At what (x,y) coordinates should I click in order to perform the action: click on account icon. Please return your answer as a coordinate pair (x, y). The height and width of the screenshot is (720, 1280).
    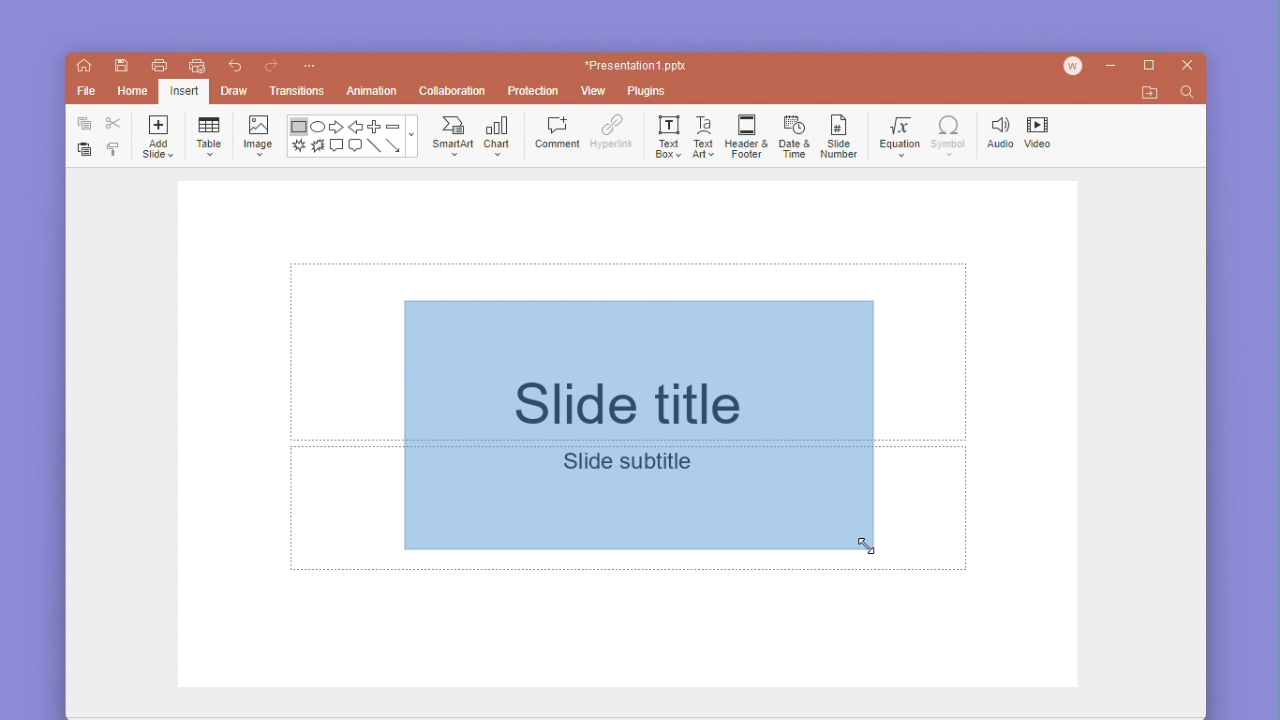
    Looking at the image, I should click on (1075, 67).